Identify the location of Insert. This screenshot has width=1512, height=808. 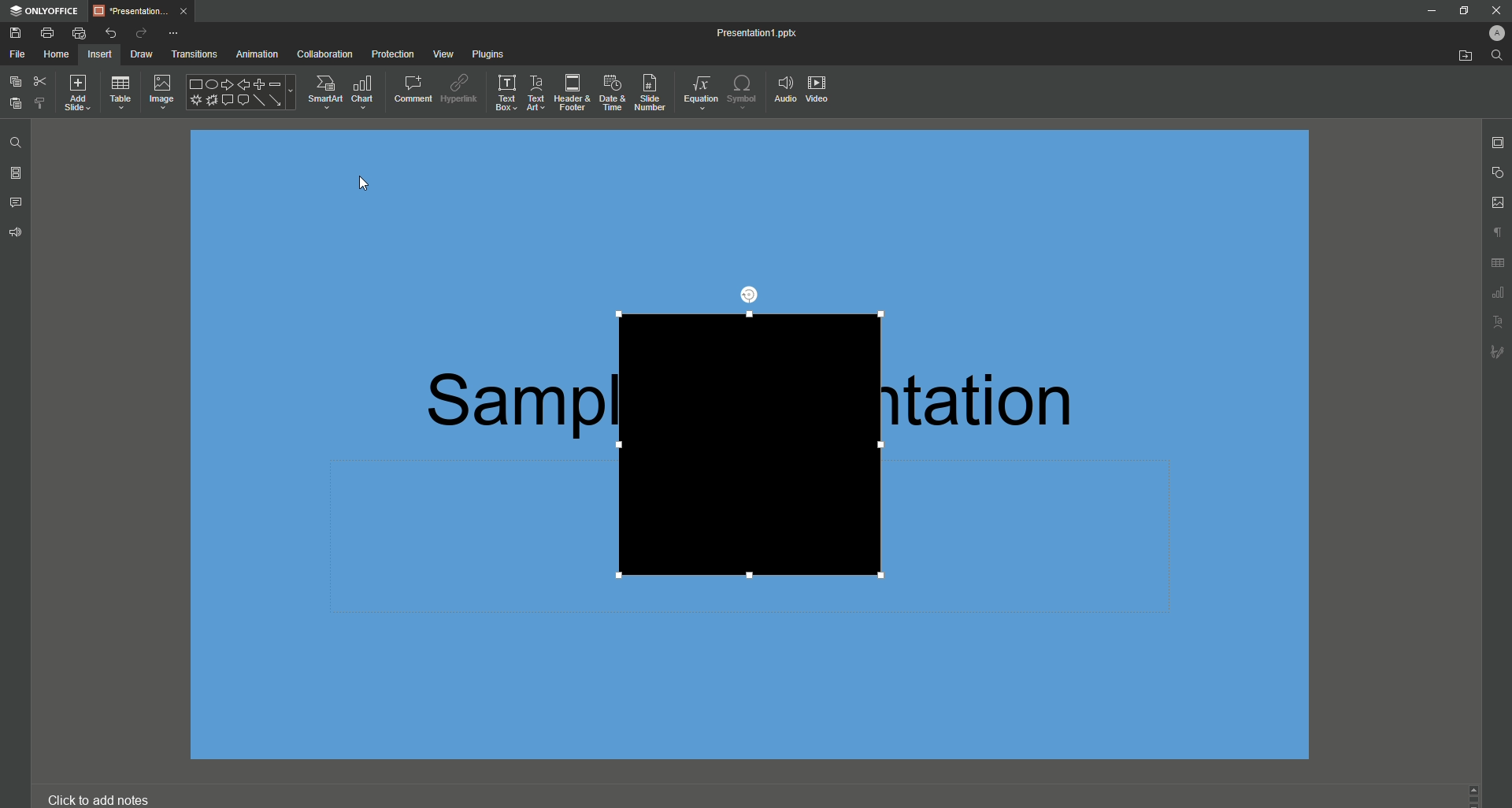
(102, 54).